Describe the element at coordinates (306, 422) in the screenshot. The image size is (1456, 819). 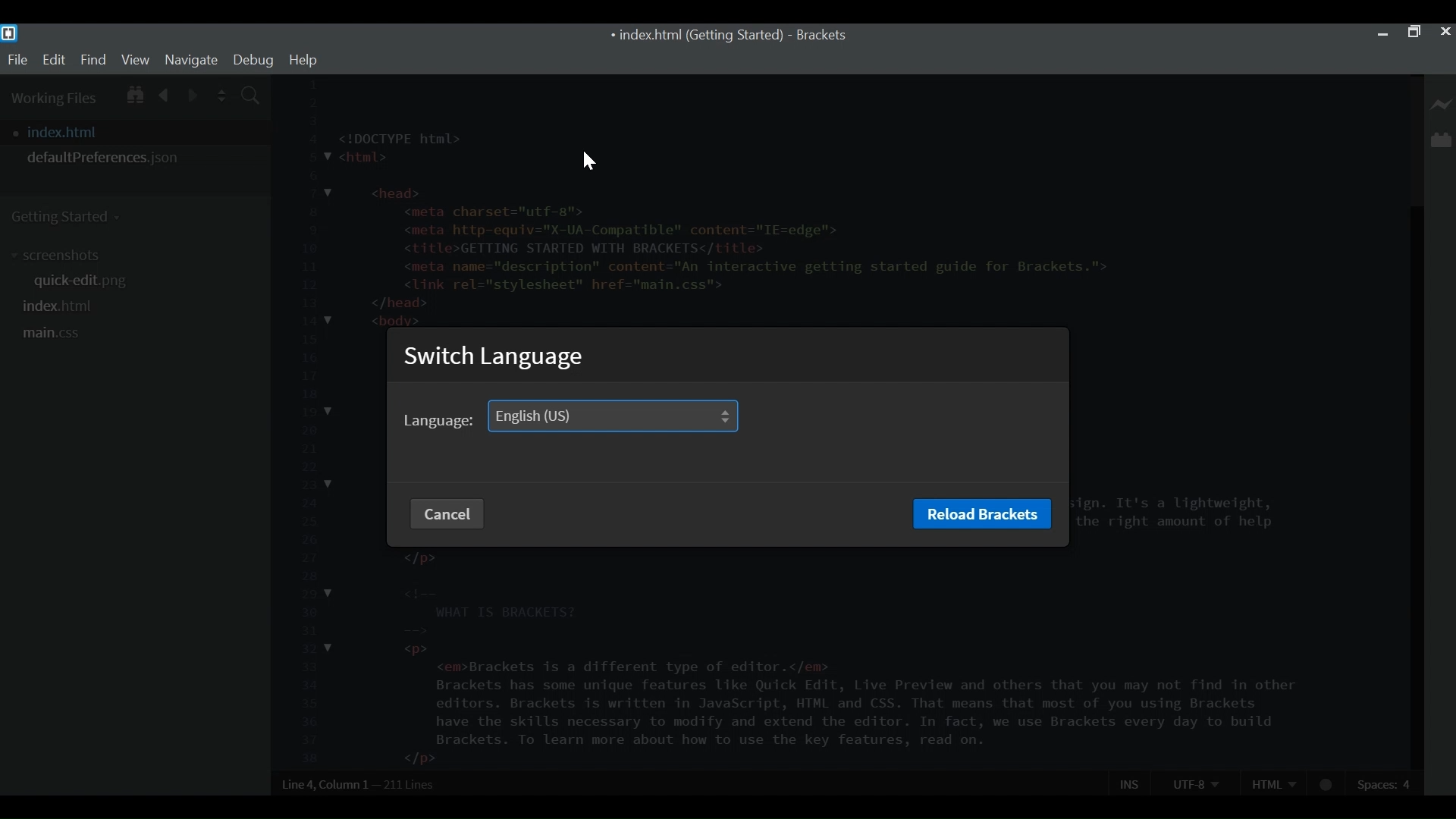
I see `line number` at that location.